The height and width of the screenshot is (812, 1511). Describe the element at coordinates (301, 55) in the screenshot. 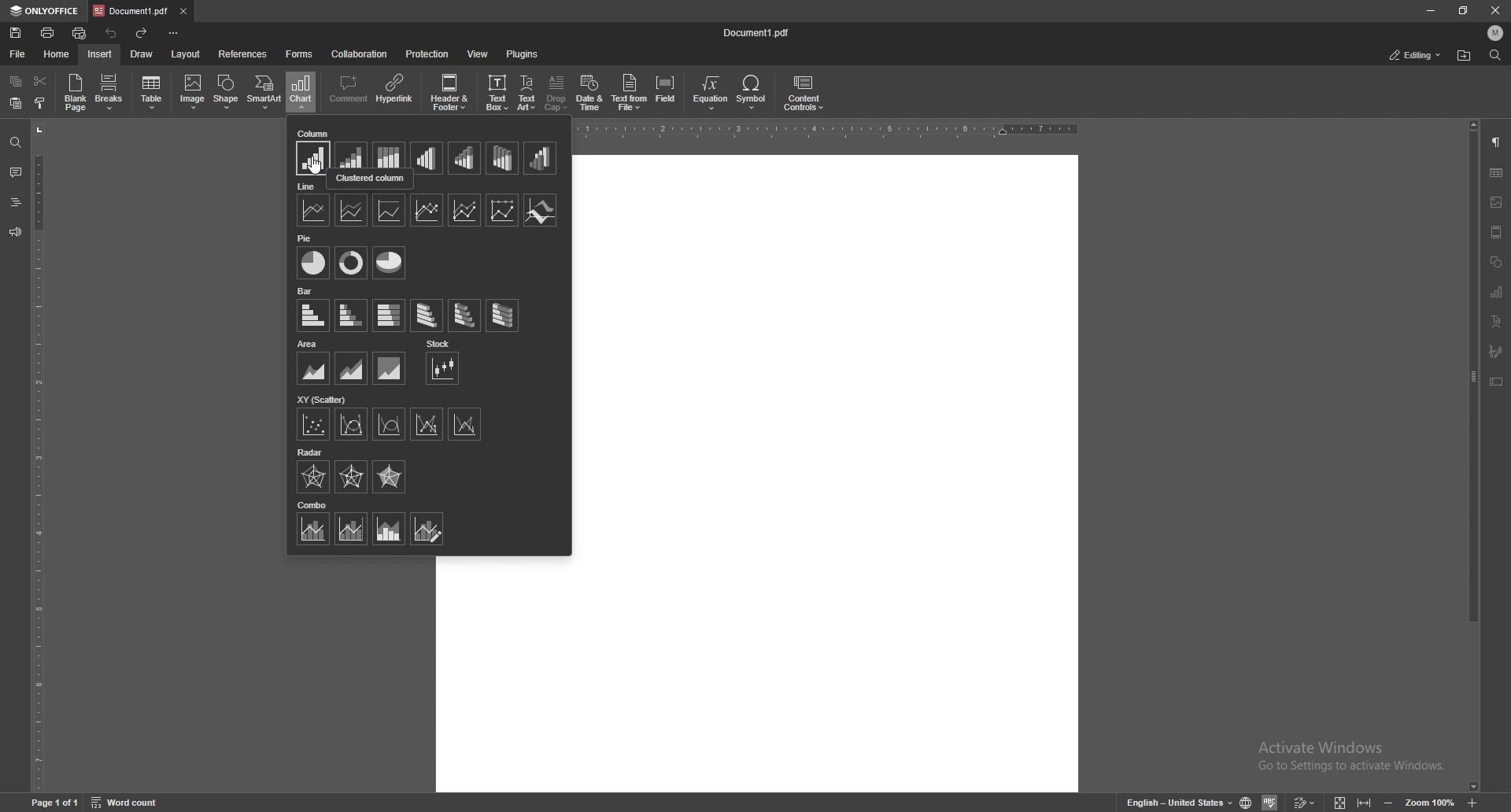

I see `forms` at that location.